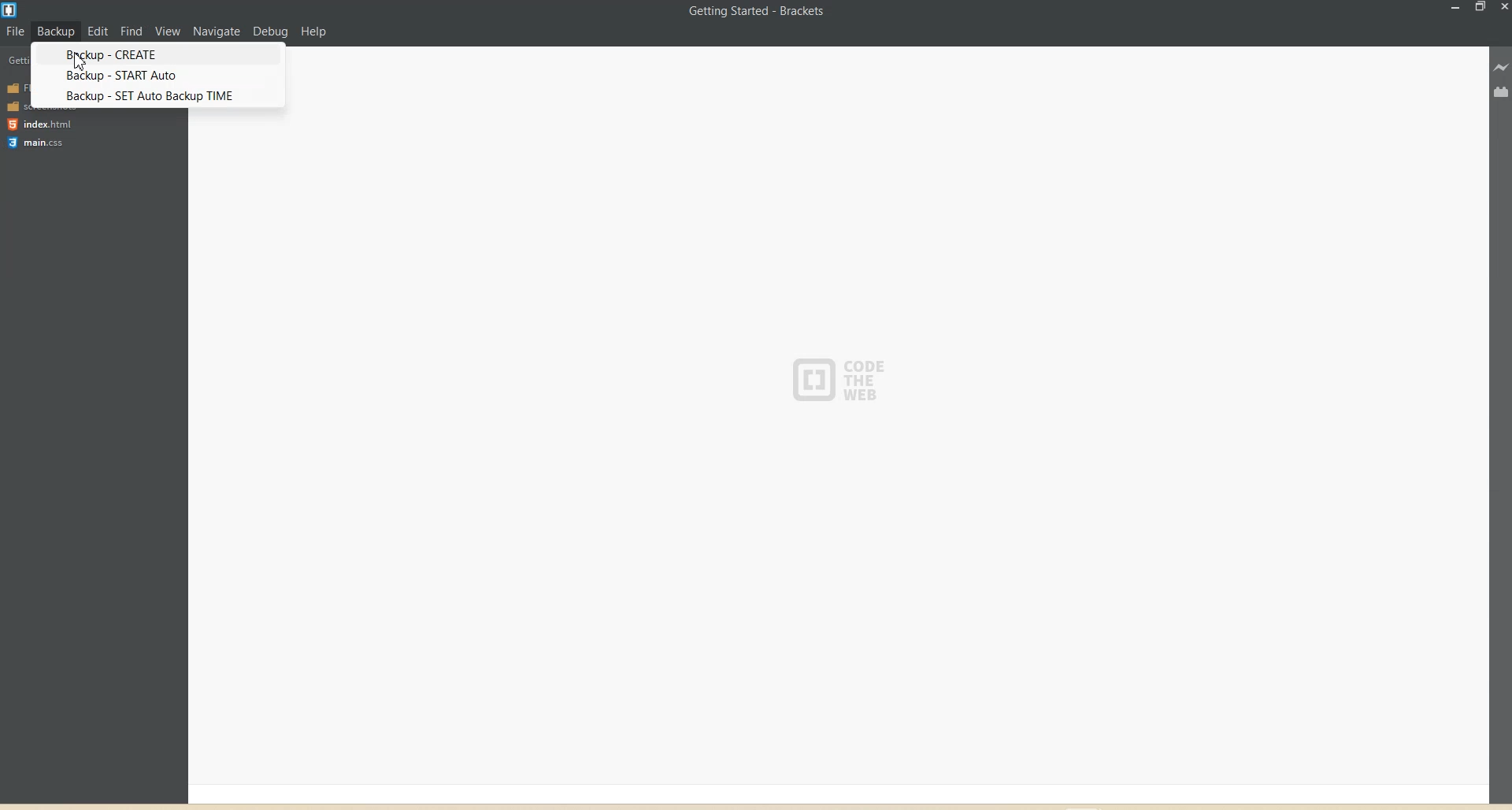 The image size is (1512, 810). What do you see at coordinates (156, 54) in the screenshot?
I see `Backup CREATE` at bounding box center [156, 54].